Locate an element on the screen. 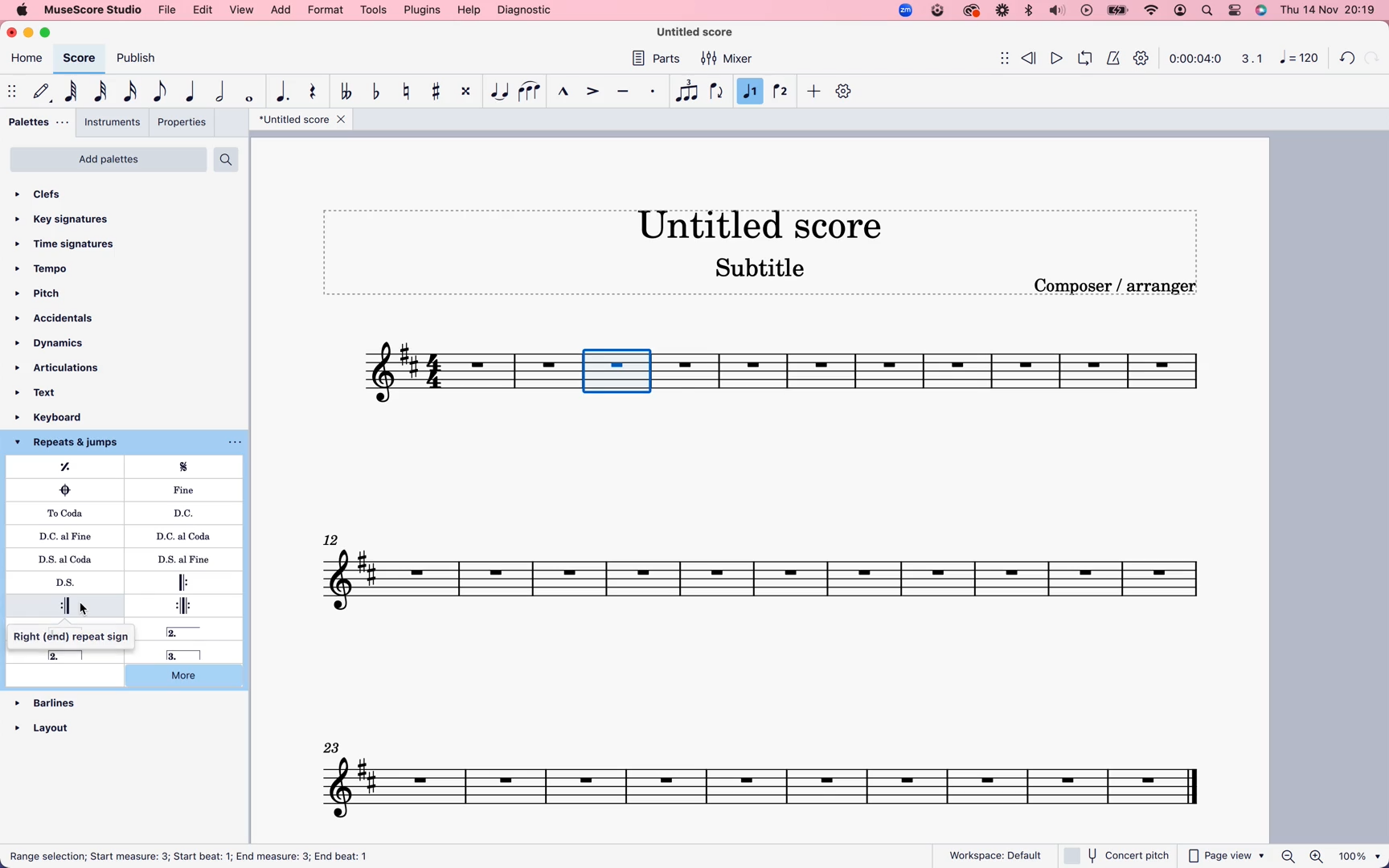 This screenshot has width=1389, height=868. toggle sharp is located at coordinates (440, 92).